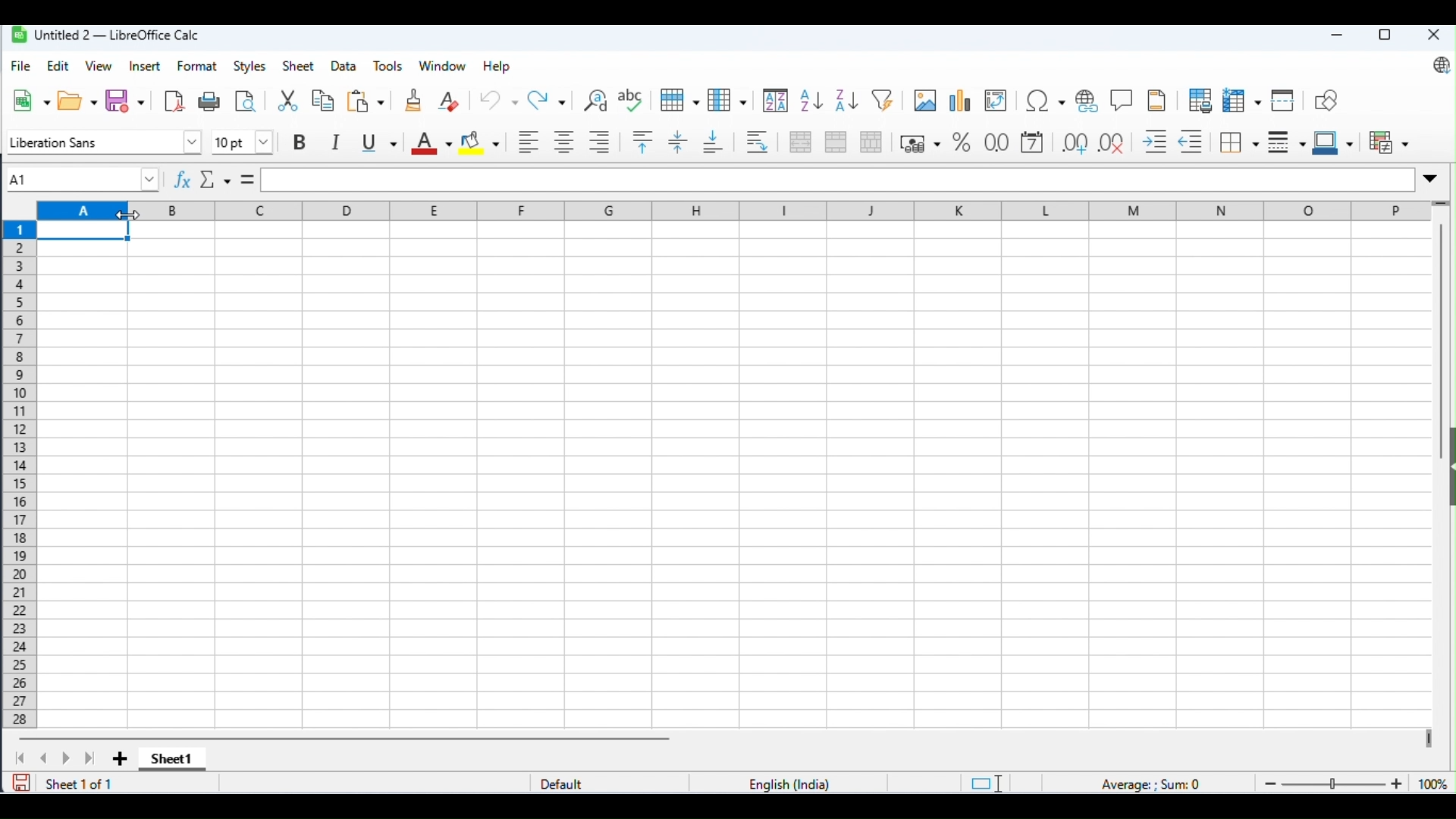 The width and height of the screenshot is (1456, 819). Describe the element at coordinates (1242, 101) in the screenshot. I see `freeze rows and columns` at that location.